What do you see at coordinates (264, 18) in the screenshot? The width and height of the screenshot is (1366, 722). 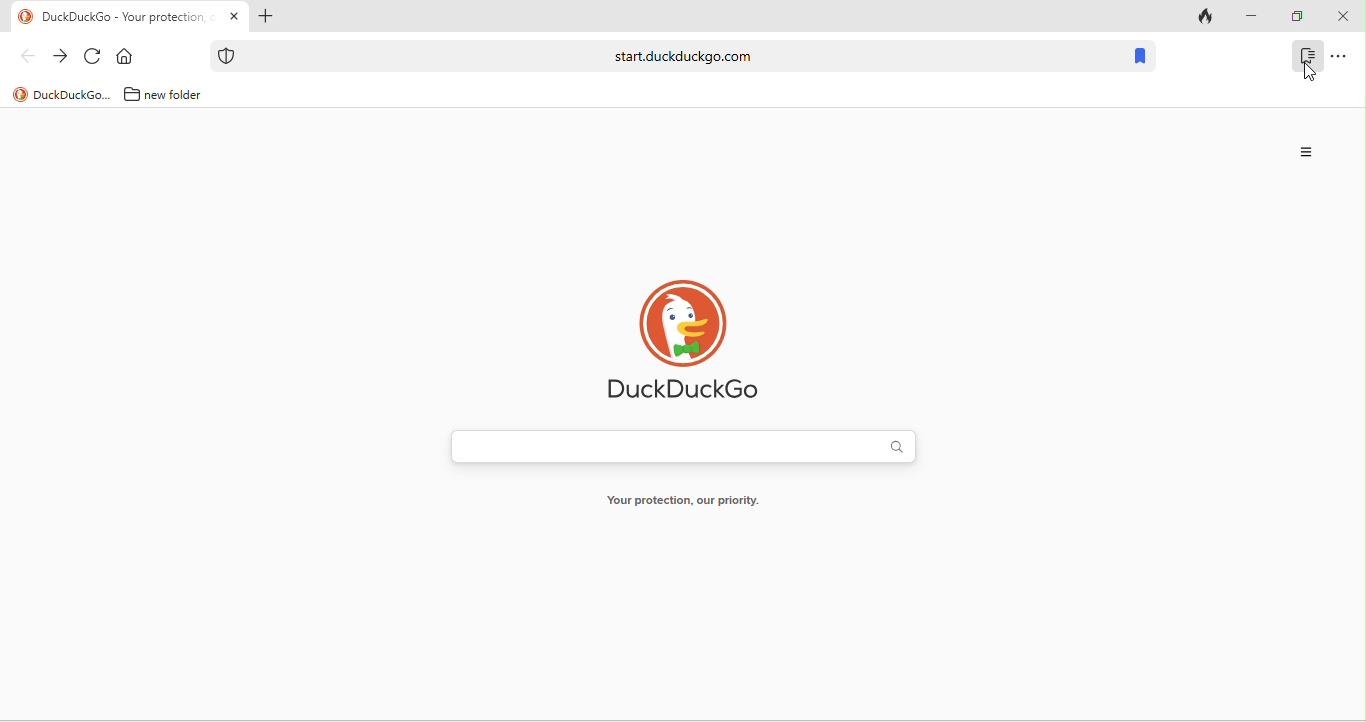 I see `add tab` at bounding box center [264, 18].